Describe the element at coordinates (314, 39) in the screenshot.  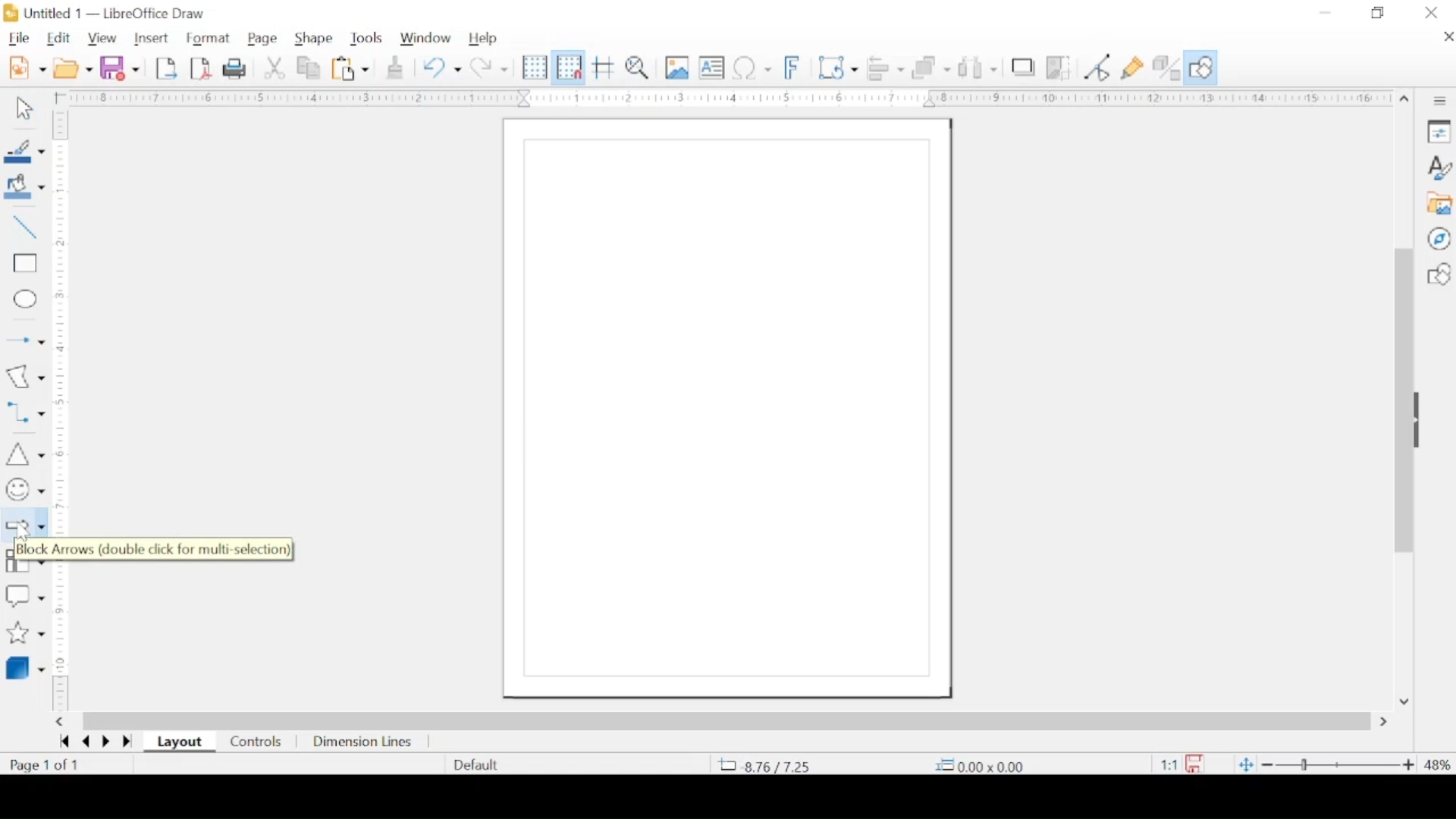
I see `shape` at that location.